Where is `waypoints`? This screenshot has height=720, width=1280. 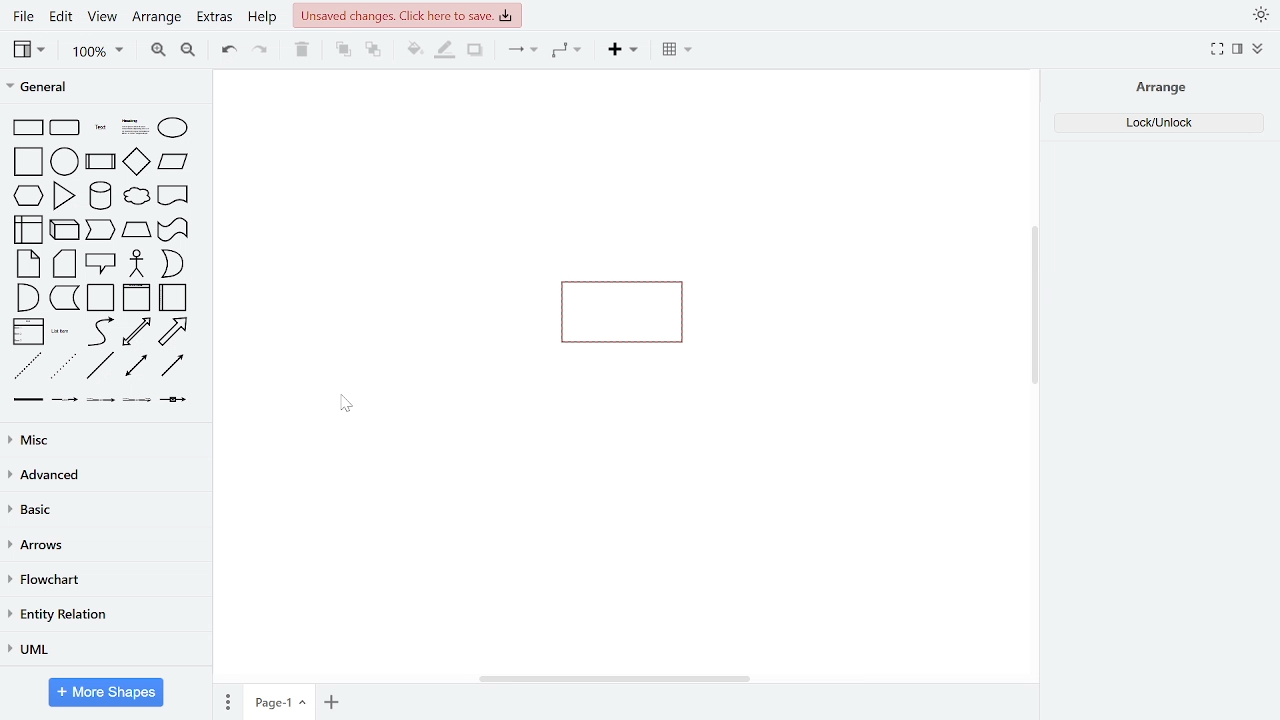
waypoints is located at coordinates (567, 51).